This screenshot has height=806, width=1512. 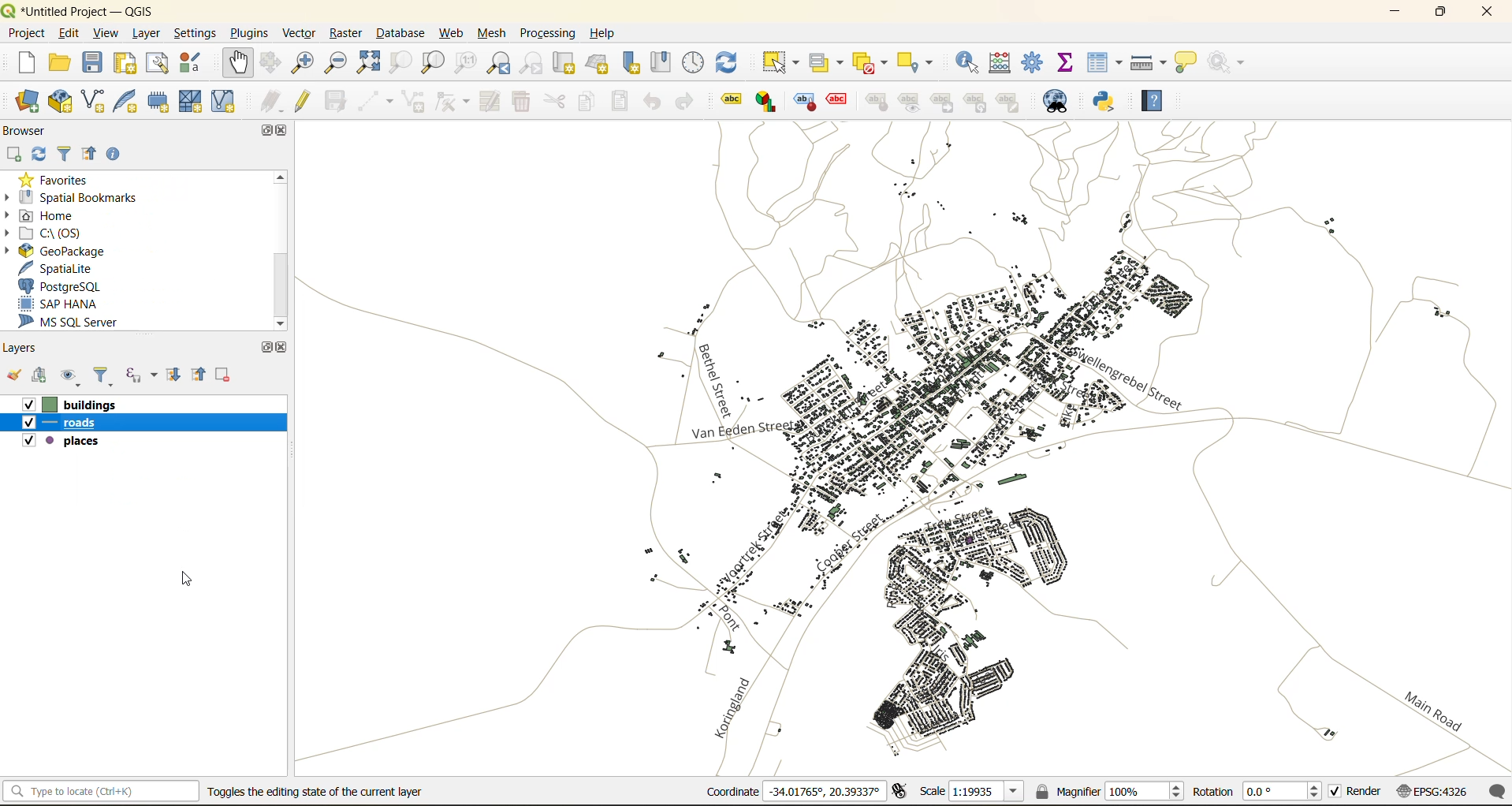 I want to click on rotate a label, so click(x=977, y=101).